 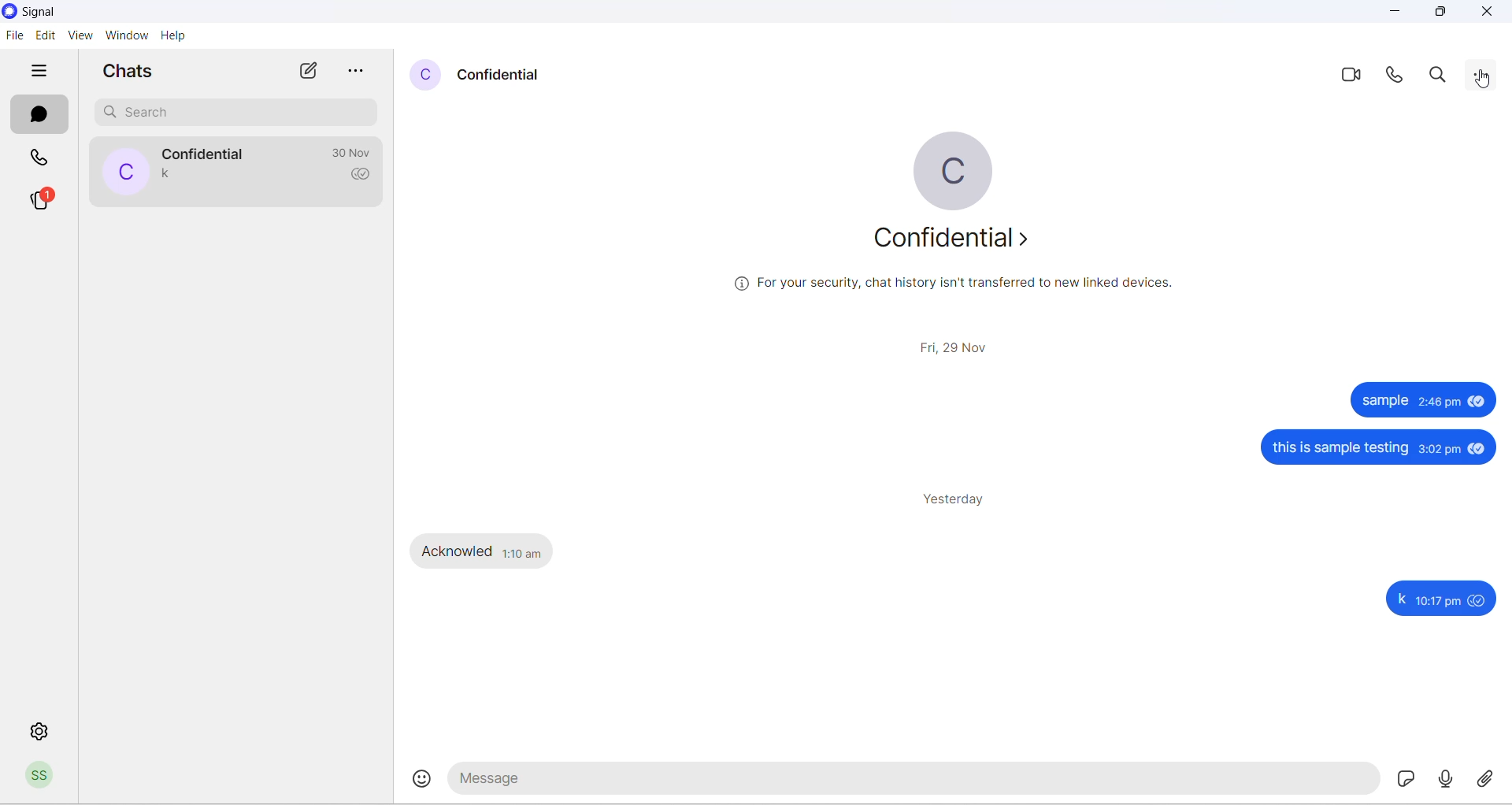 What do you see at coordinates (1482, 76) in the screenshot?
I see `cursor` at bounding box center [1482, 76].